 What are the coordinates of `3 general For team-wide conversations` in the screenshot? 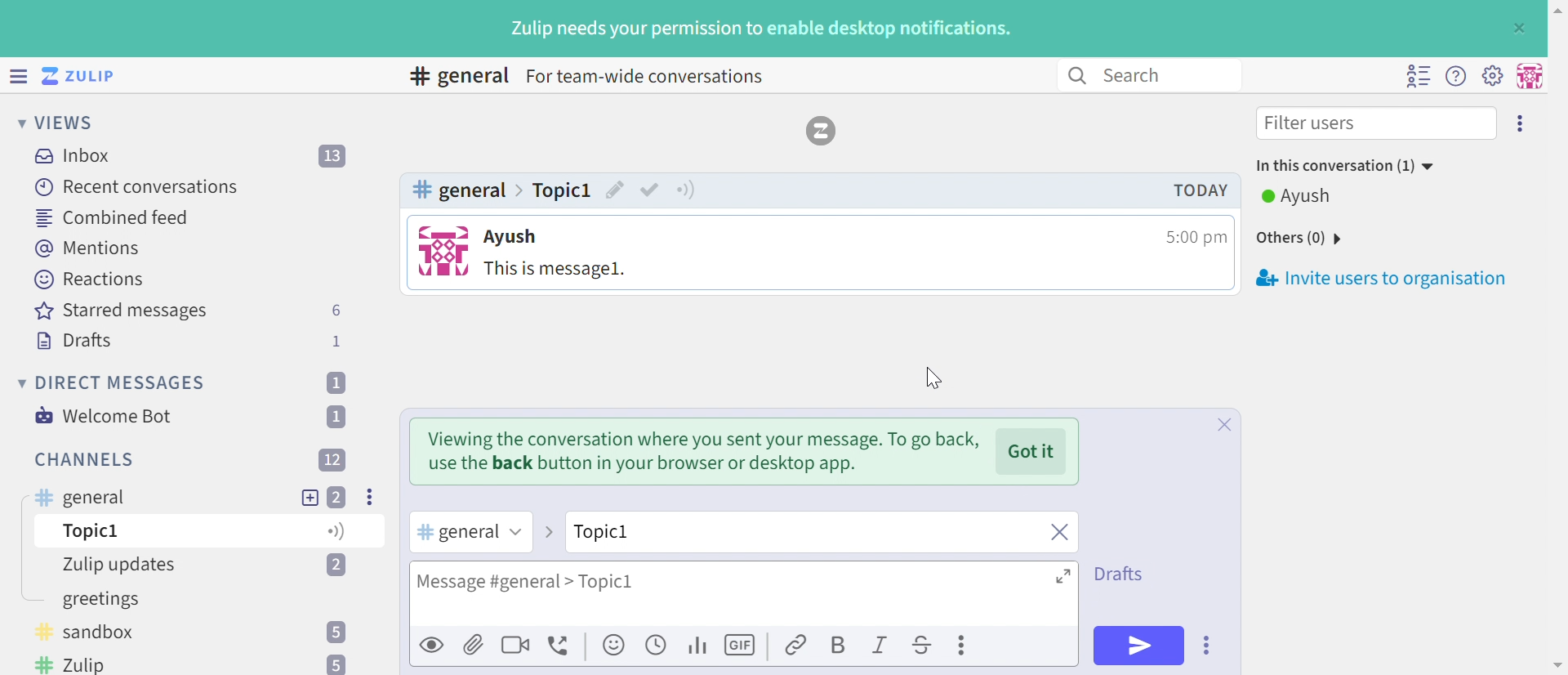 It's located at (596, 78).